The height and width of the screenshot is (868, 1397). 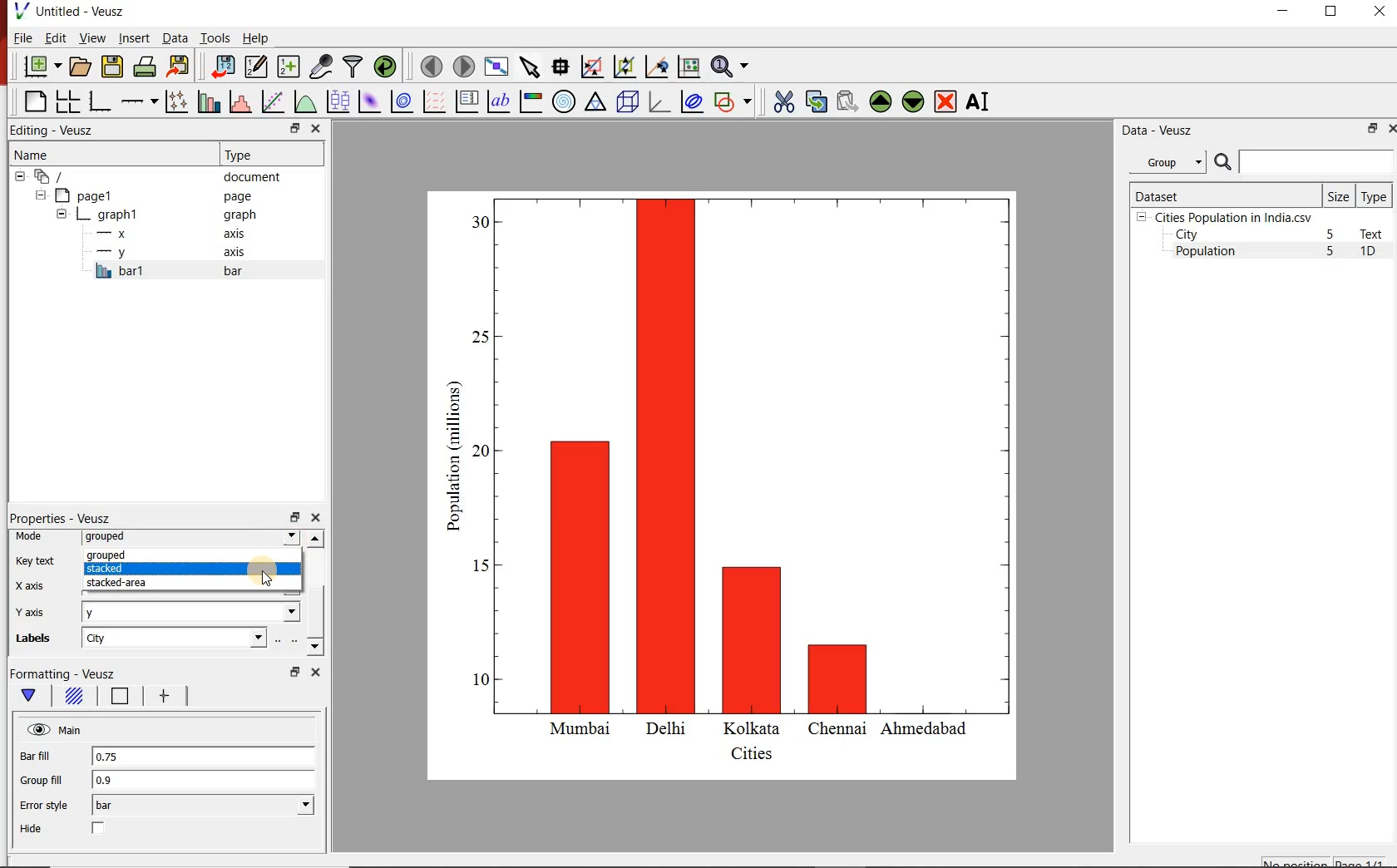 I want to click on search dataset, so click(x=1305, y=162).